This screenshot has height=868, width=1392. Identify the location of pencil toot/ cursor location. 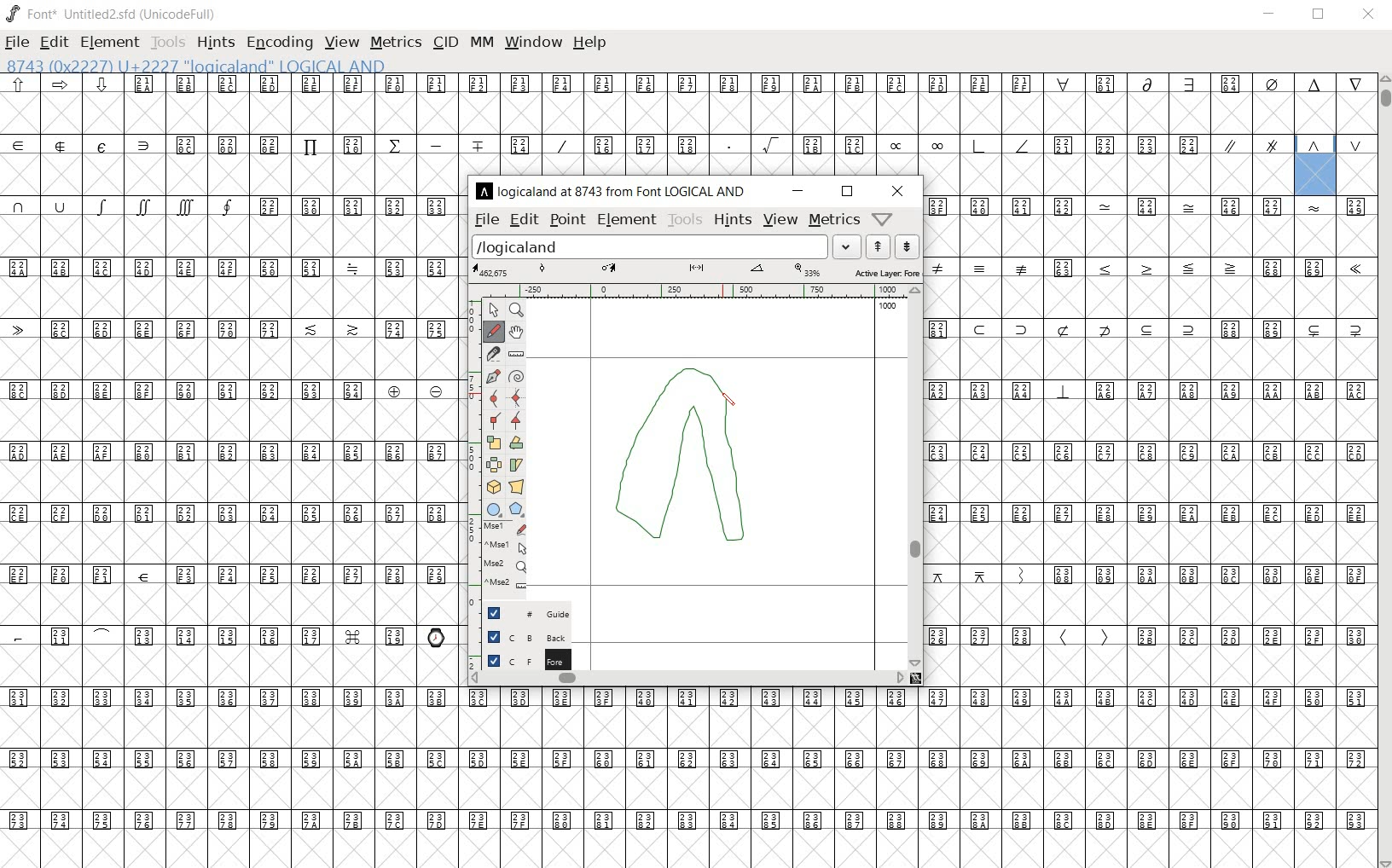
(732, 402).